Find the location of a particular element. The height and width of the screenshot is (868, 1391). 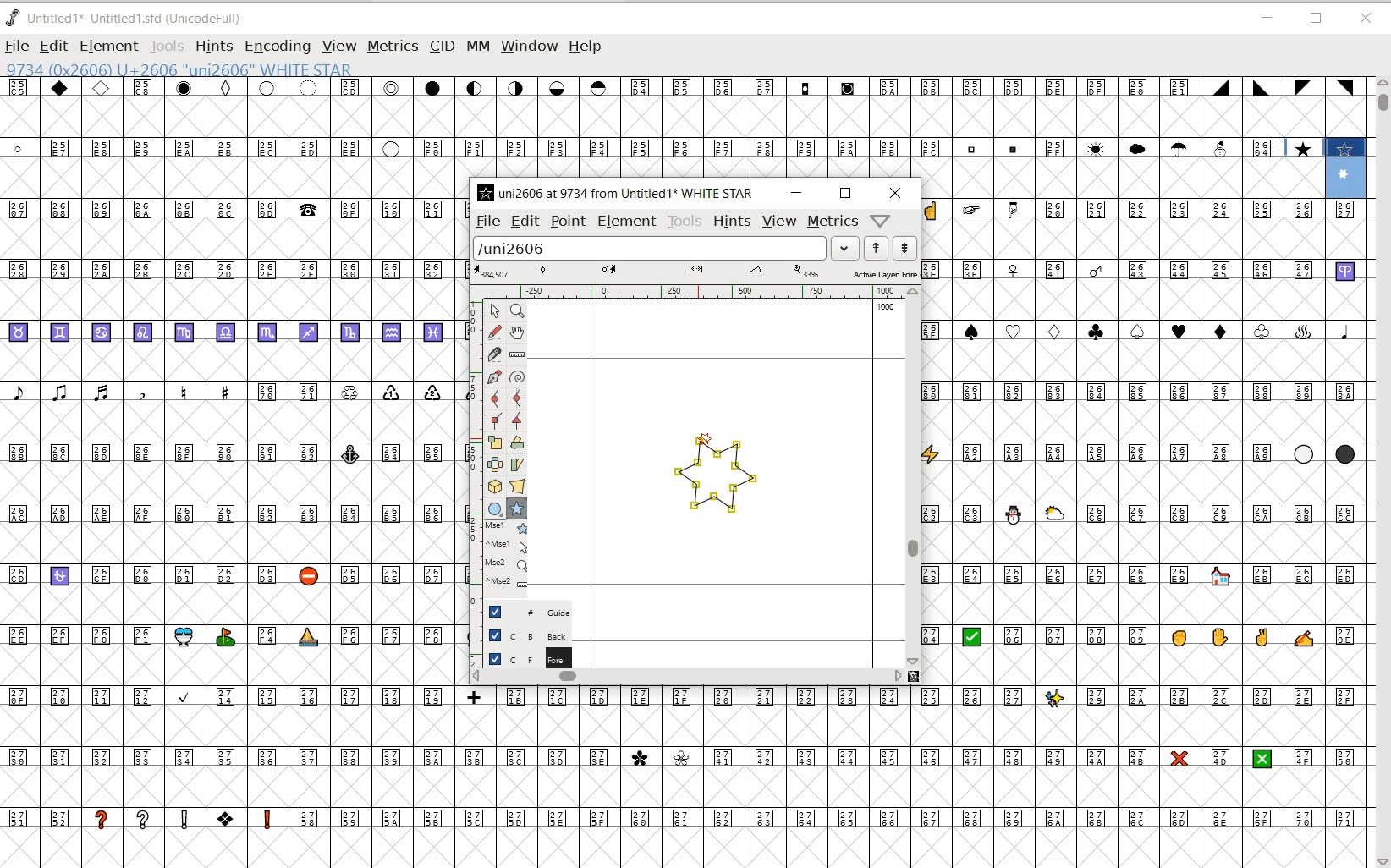

ADD A TANGENT POINT is located at coordinates (518, 421).